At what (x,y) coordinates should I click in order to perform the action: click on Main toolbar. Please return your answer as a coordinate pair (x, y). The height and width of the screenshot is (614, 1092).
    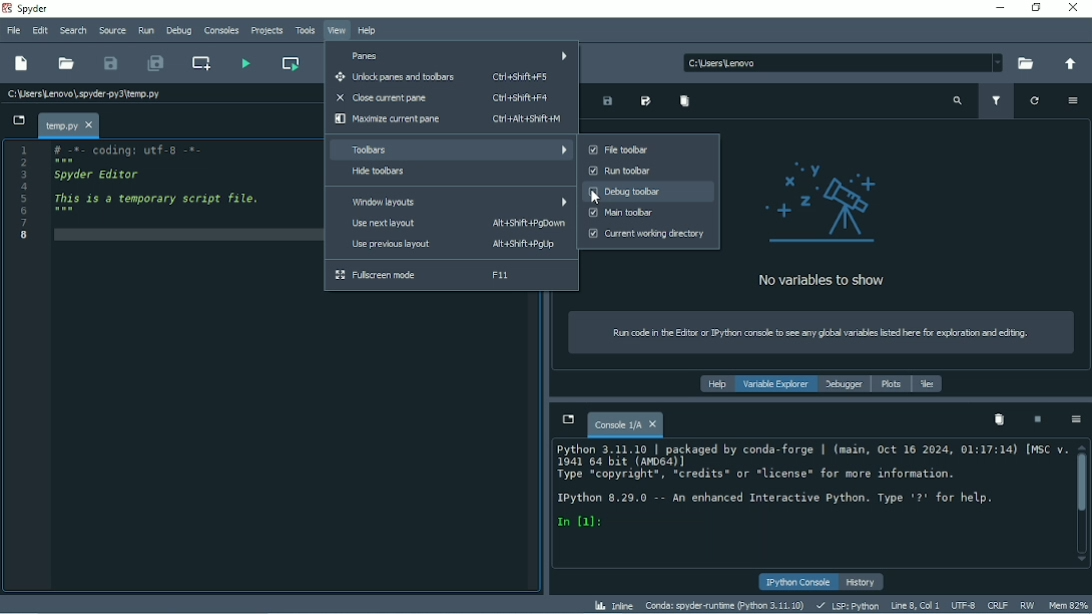
    Looking at the image, I should click on (647, 212).